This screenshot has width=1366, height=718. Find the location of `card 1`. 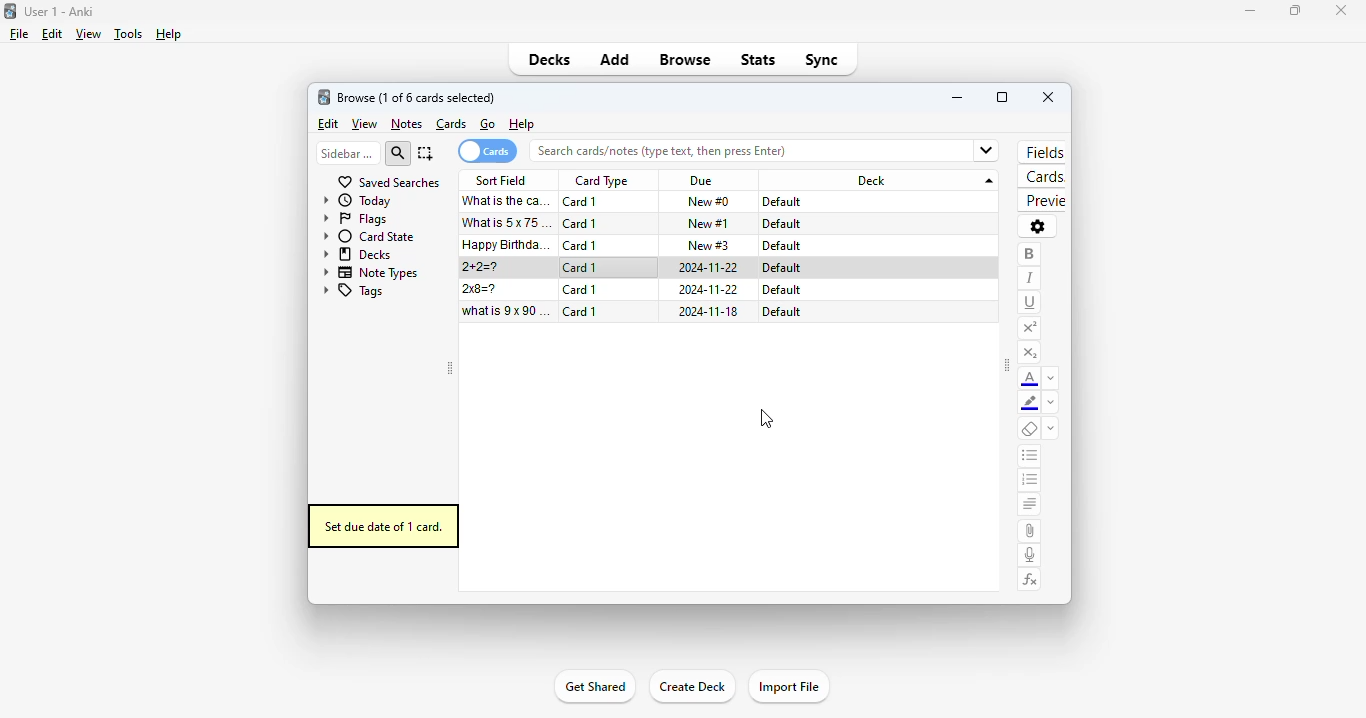

card 1 is located at coordinates (581, 311).